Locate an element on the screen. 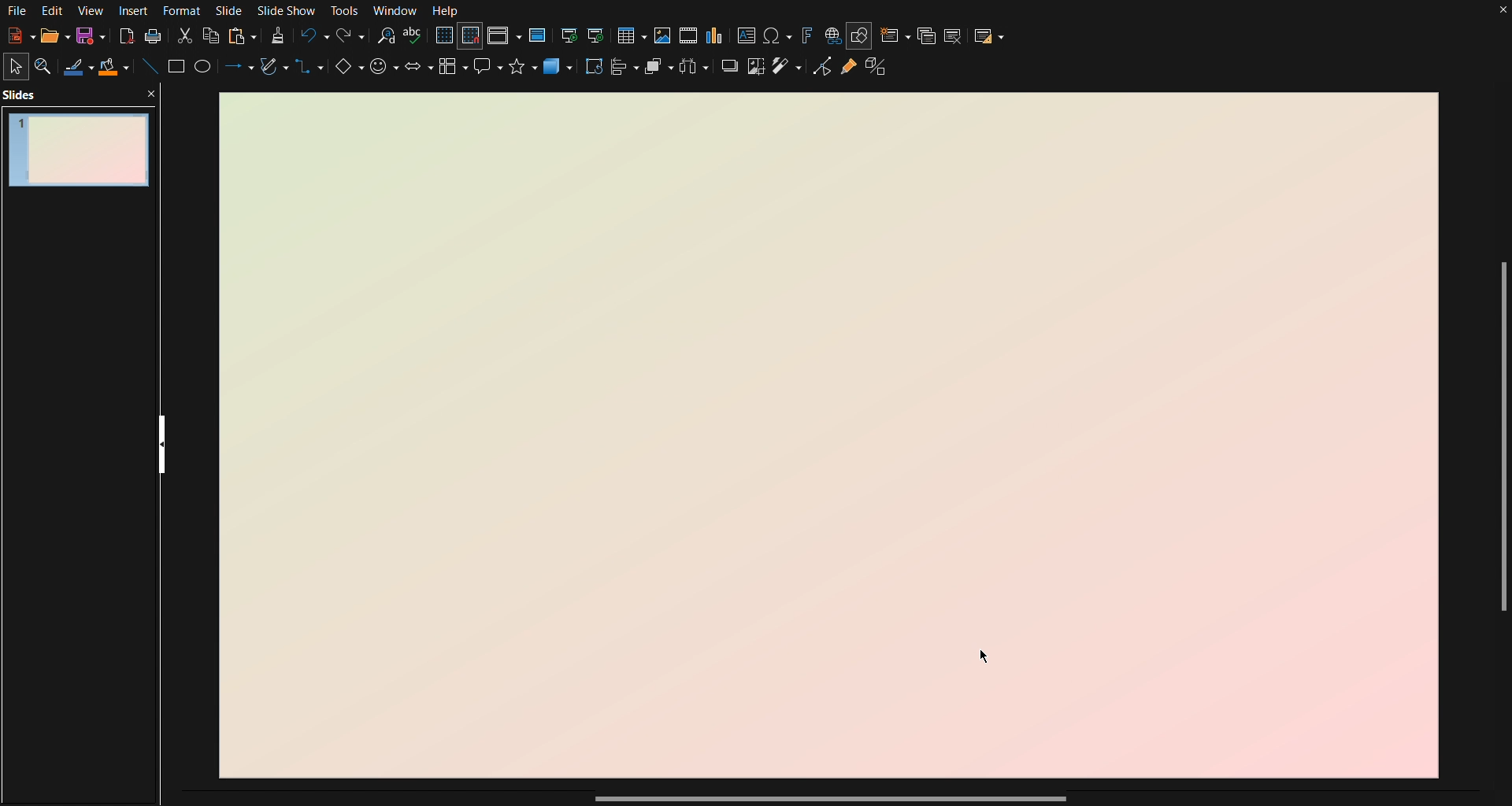 This screenshot has height=806, width=1512. Search and Replace is located at coordinates (385, 36).